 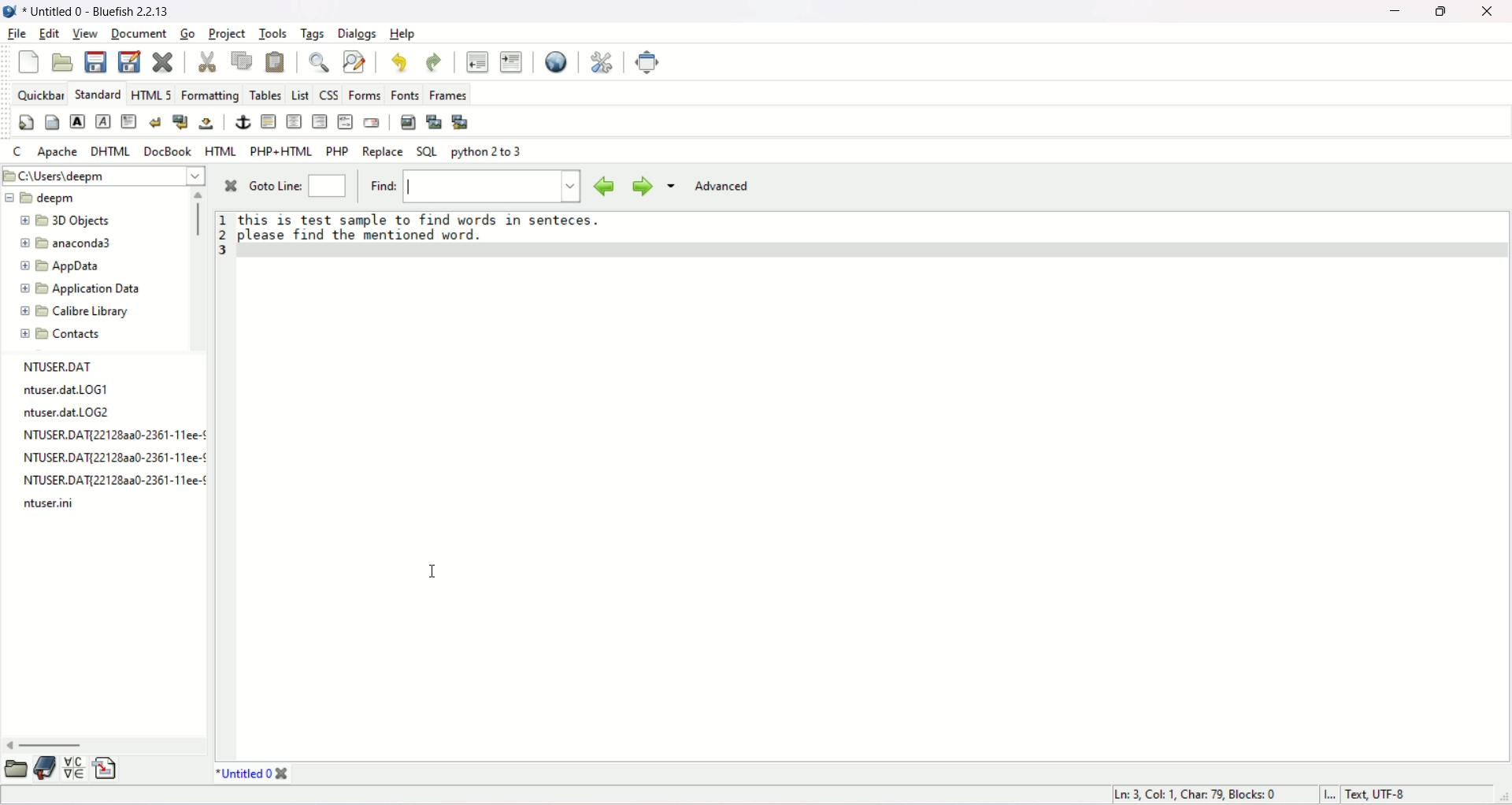 What do you see at coordinates (18, 150) in the screenshot?
I see `C` at bounding box center [18, 150].